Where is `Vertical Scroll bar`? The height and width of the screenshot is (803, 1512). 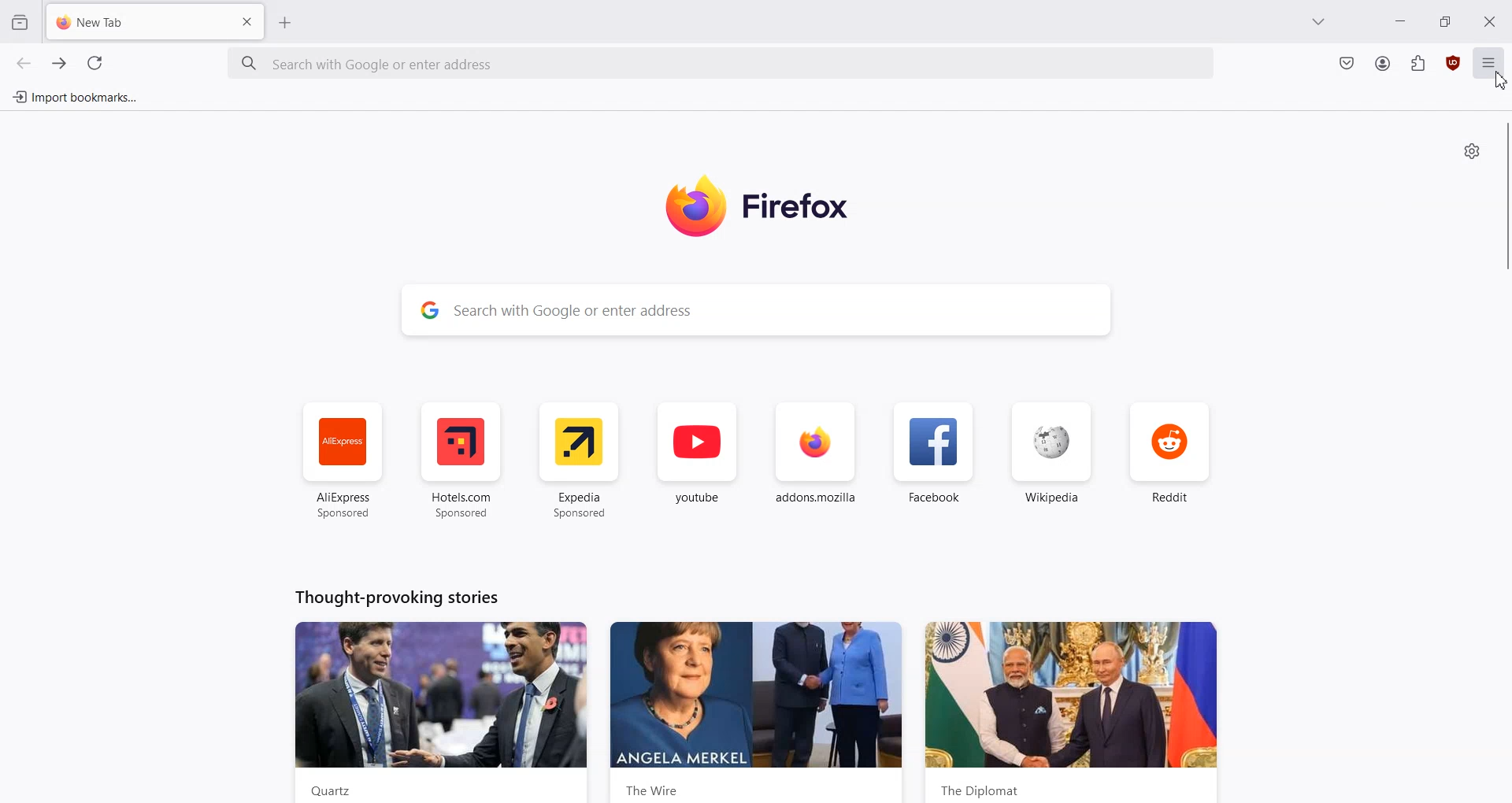
Vertical Scroll bar is located at coordinates (1503, 198).